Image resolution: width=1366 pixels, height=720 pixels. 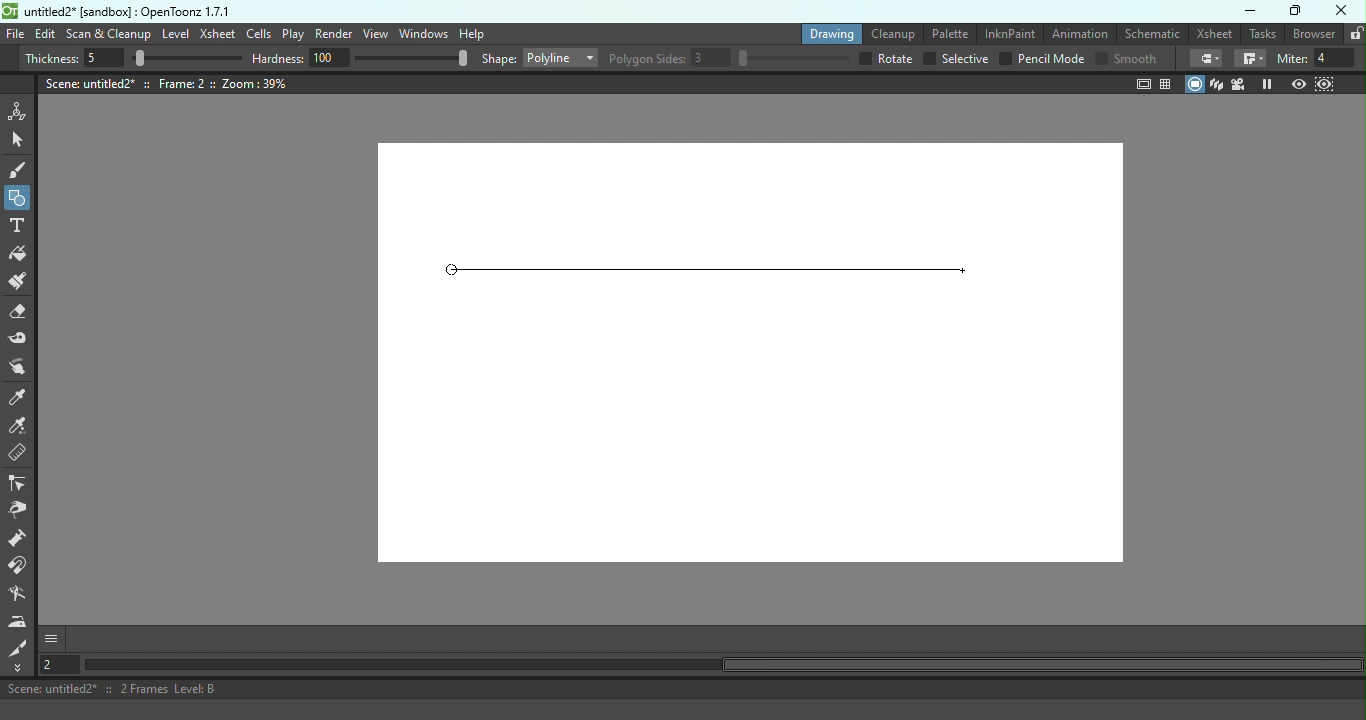 I want to click on fill tool, so click(x=1250, y=58).